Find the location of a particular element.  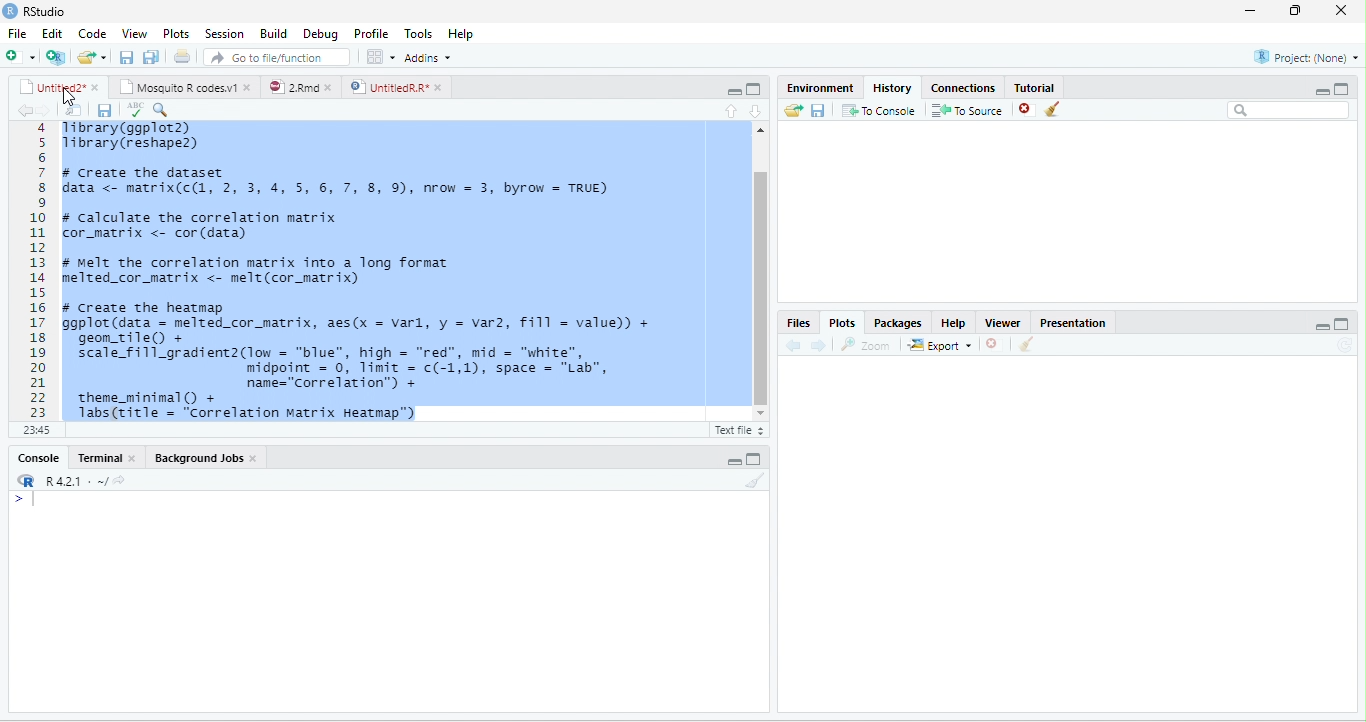

terminal is located at coordinates (110, 457).